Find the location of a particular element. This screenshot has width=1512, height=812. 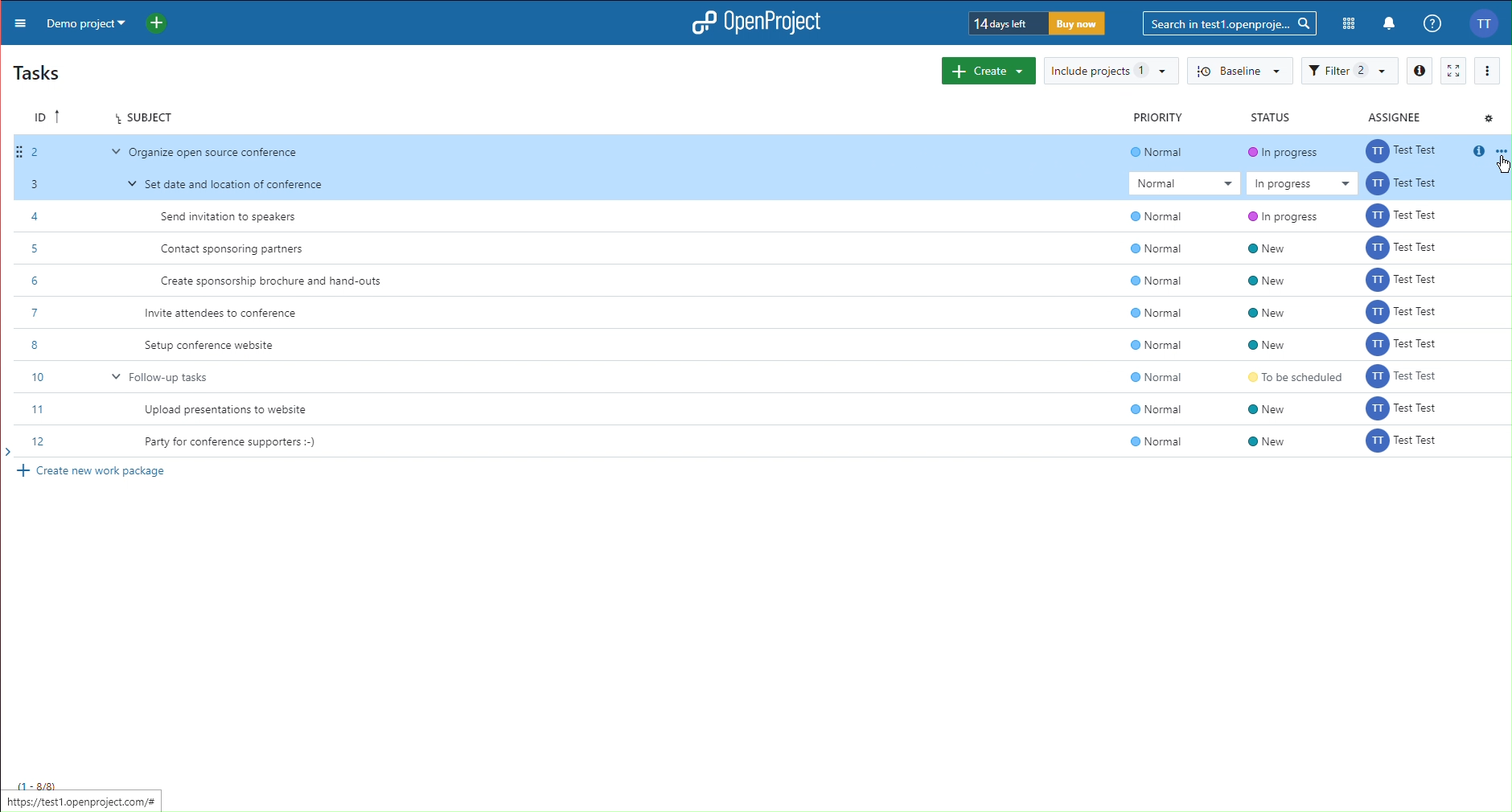

‘Organize open source conference is located at coordinates (213, 154).